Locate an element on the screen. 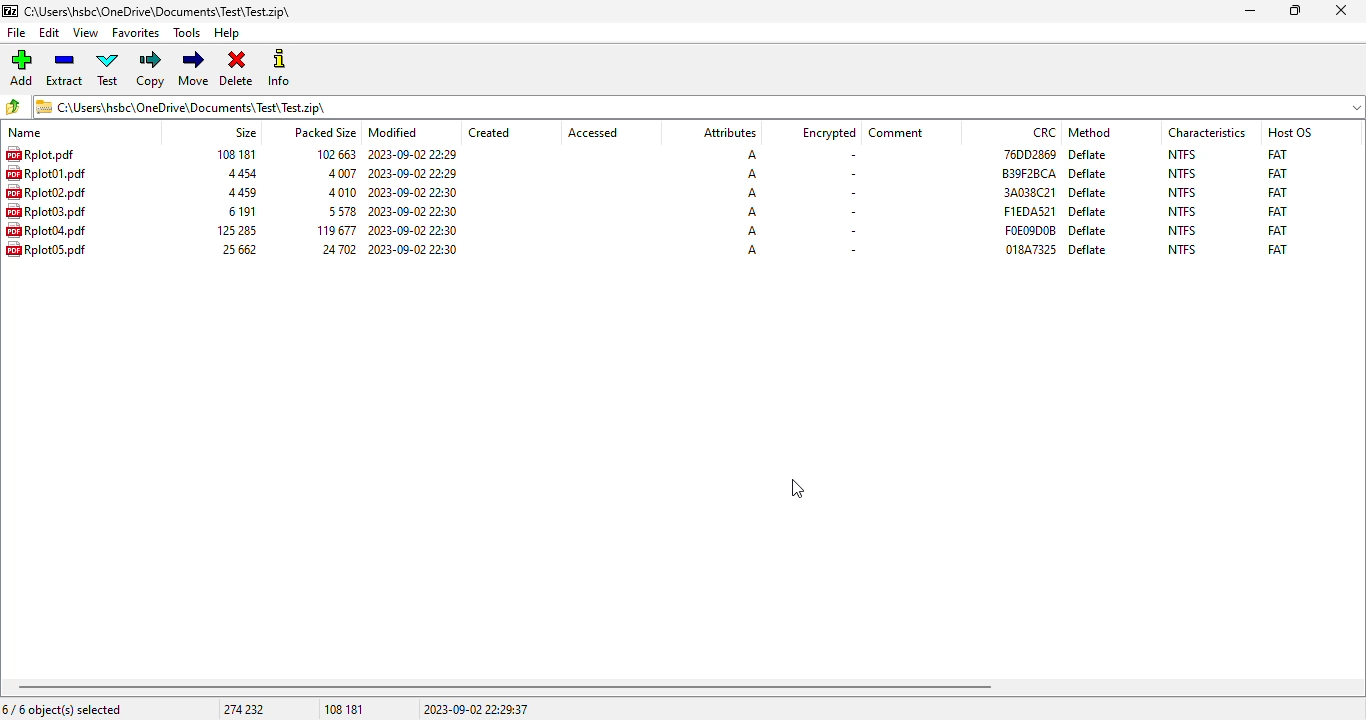  modified date & time is located at coordinates (413, 248).